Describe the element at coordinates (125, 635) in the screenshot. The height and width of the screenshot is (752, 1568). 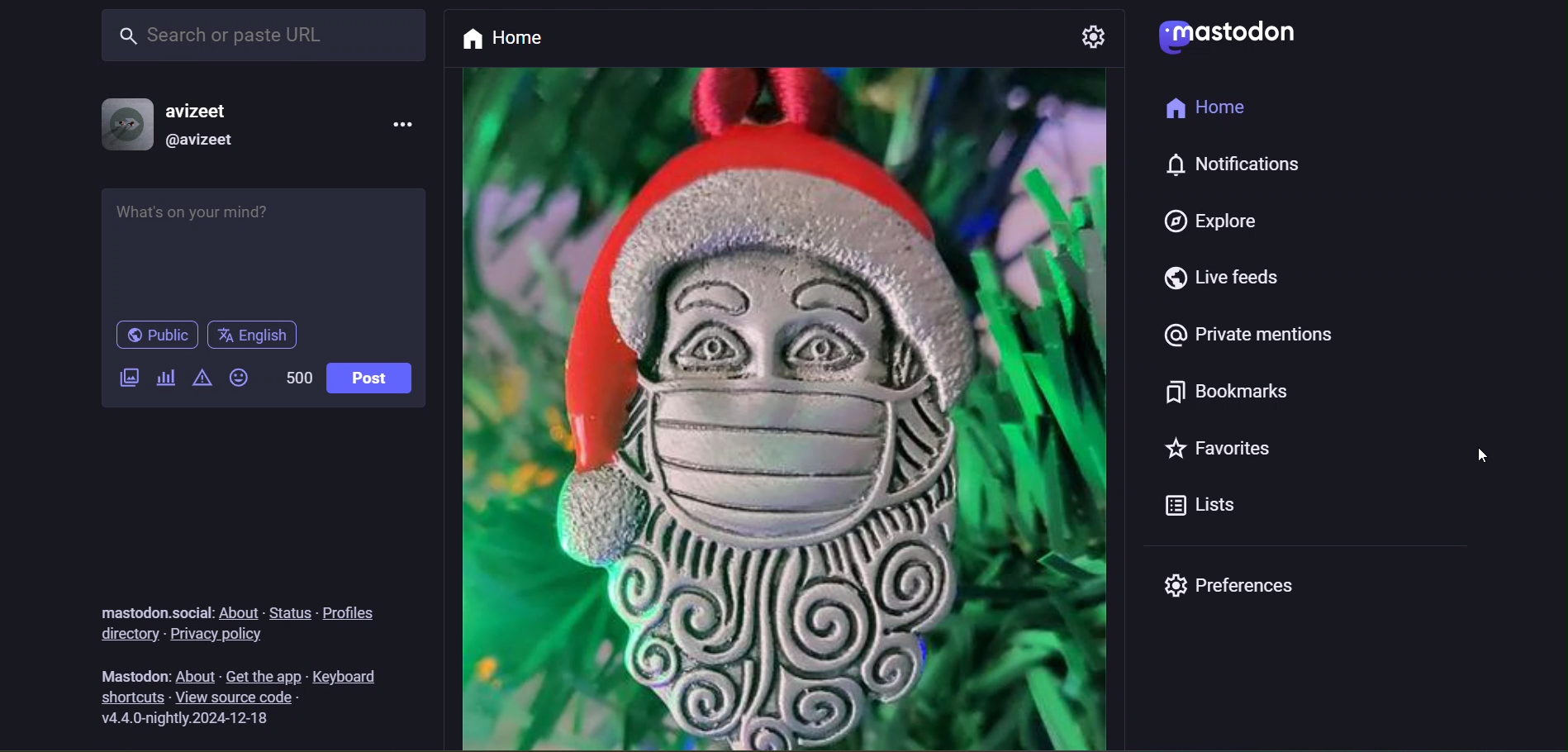
I see `directory` at that location.